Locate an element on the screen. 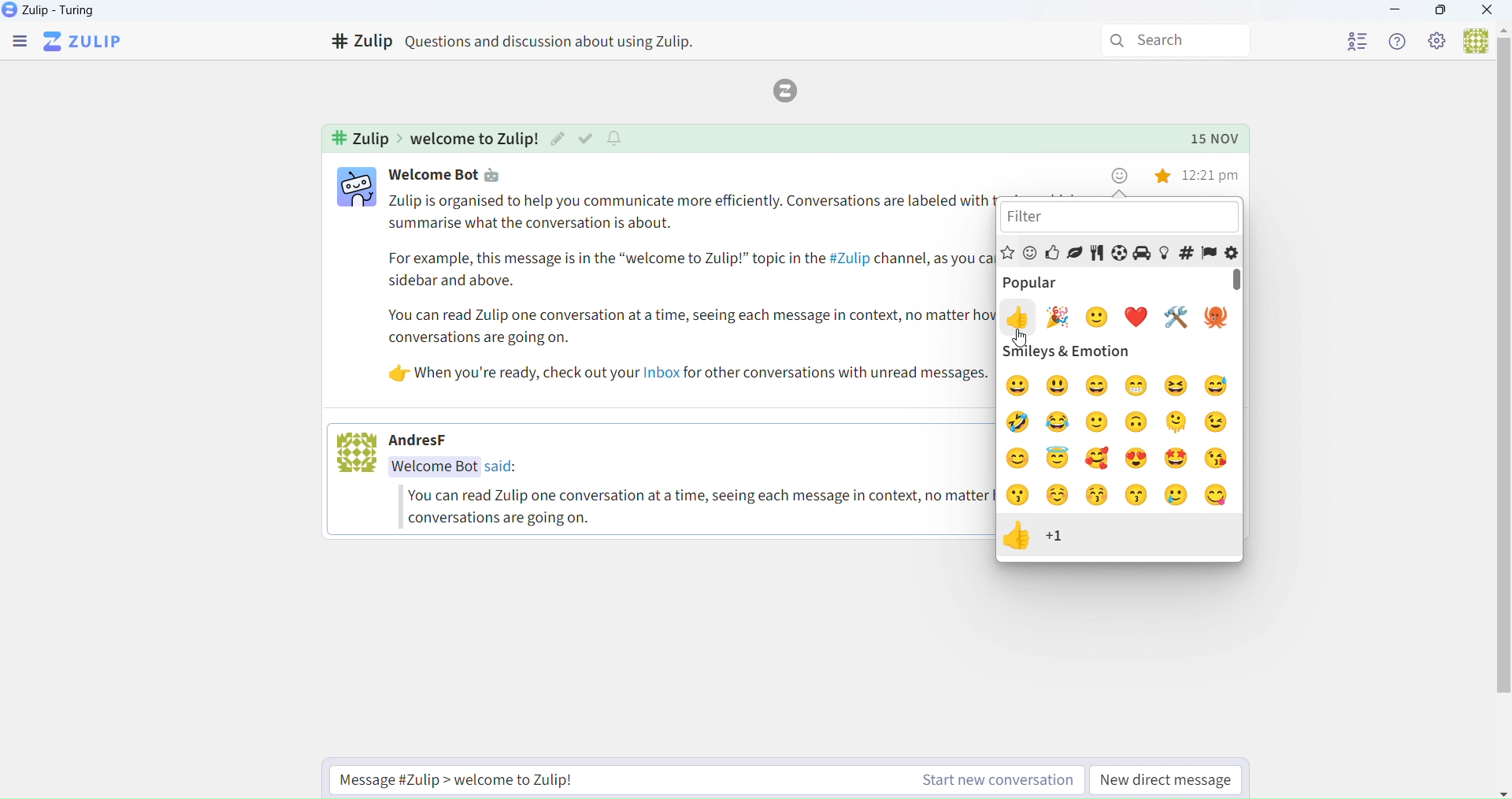  cursor is located at coordinates (1029, 336).